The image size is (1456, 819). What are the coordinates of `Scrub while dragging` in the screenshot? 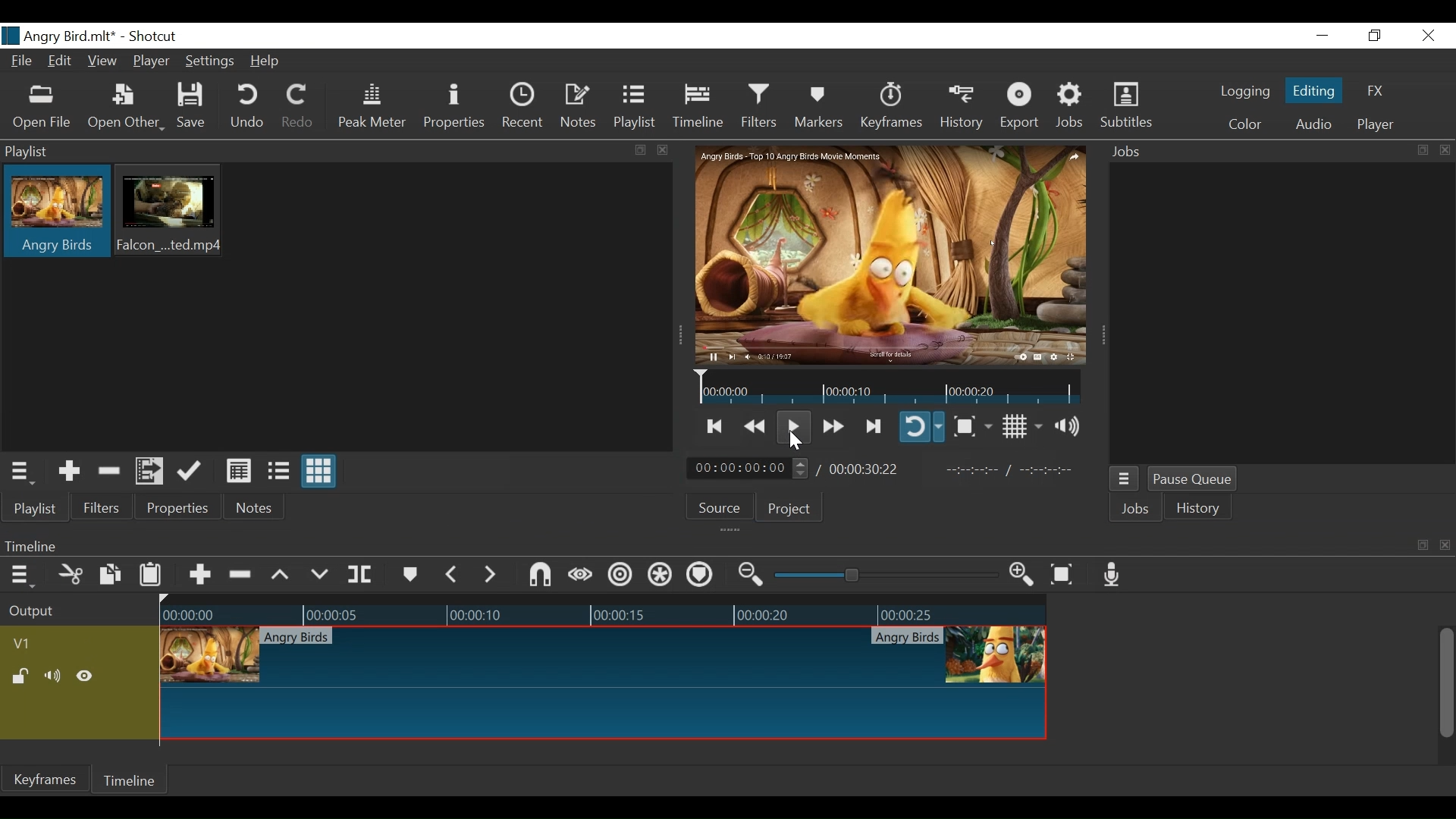 It's located at (577, 574).